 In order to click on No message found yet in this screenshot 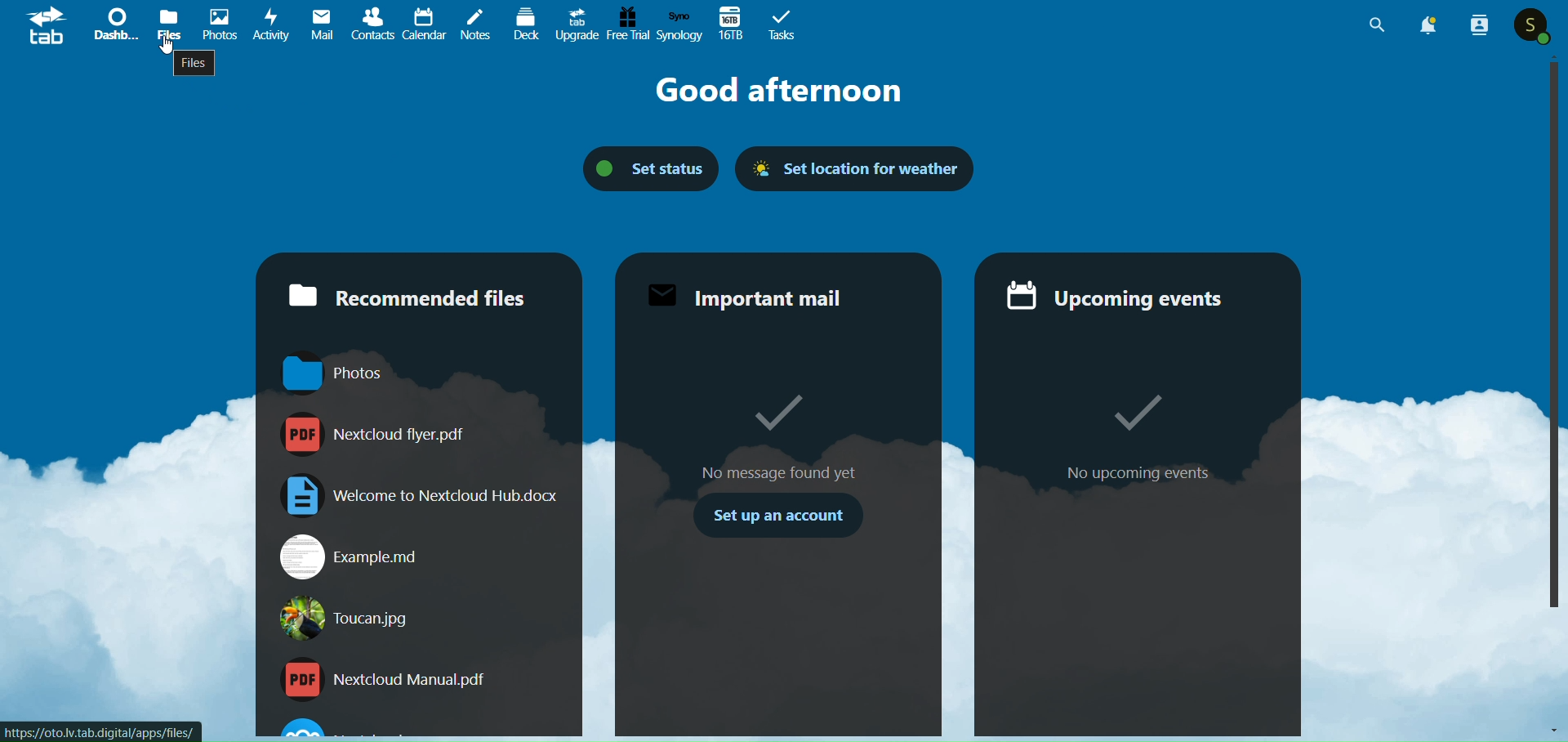, I will do `click(782, 473)`.